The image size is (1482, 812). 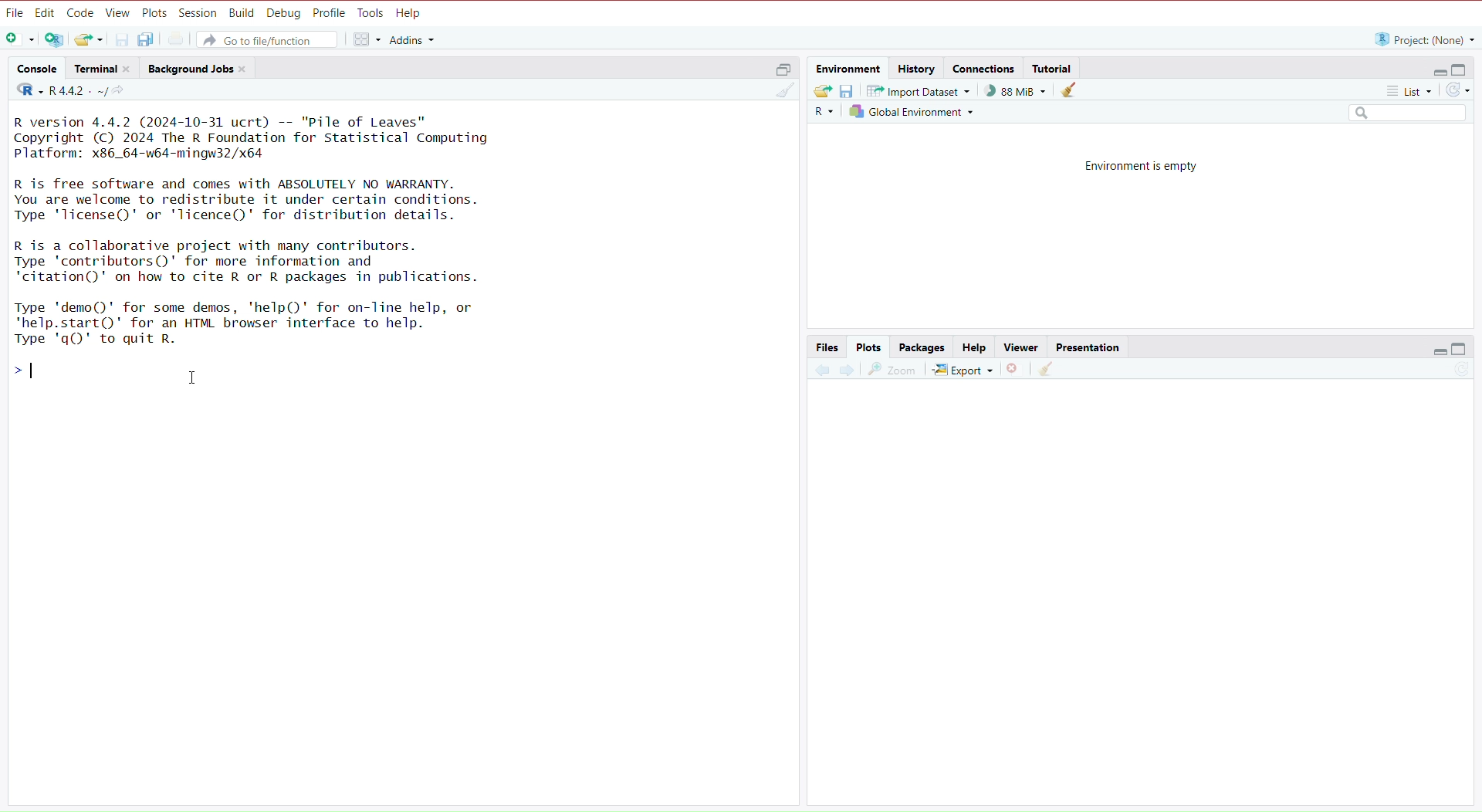 What do you see at coordinates (1046, 369) in the screenshot?
I see `Clear` at bounding box center [1046, 369].